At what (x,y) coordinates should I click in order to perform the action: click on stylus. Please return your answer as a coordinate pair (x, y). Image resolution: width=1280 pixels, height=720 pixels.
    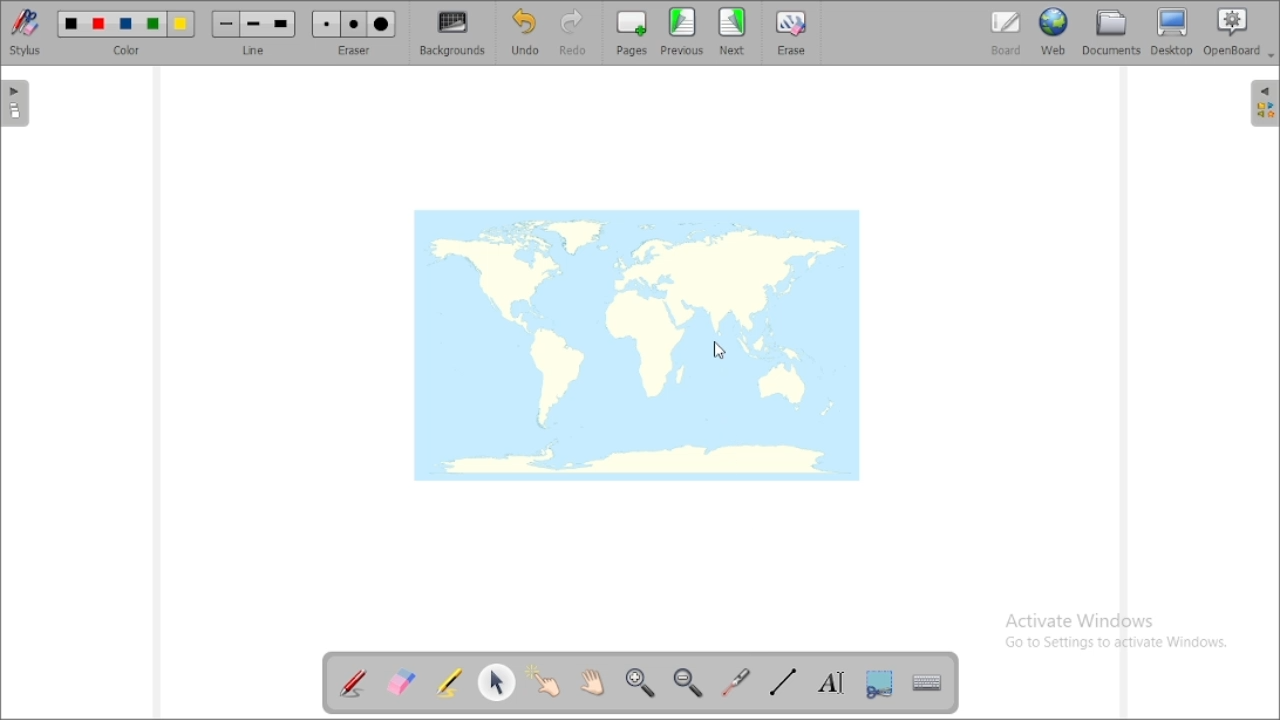
    Looking at the image, I should click on (25, 32).